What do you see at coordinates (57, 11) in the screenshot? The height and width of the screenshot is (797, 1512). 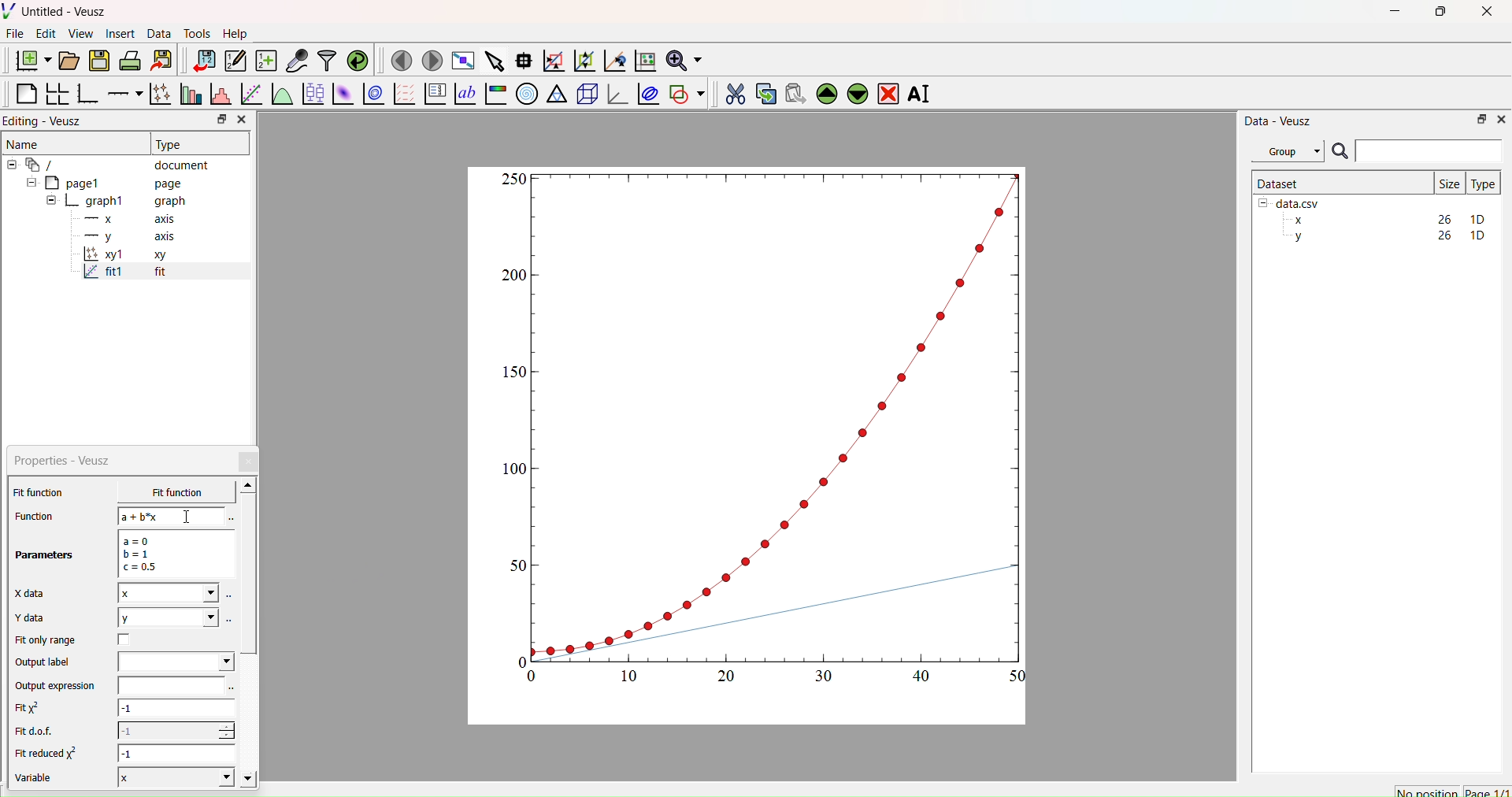 I see `Untitled - Veusz` at bounding box center [57, 11].